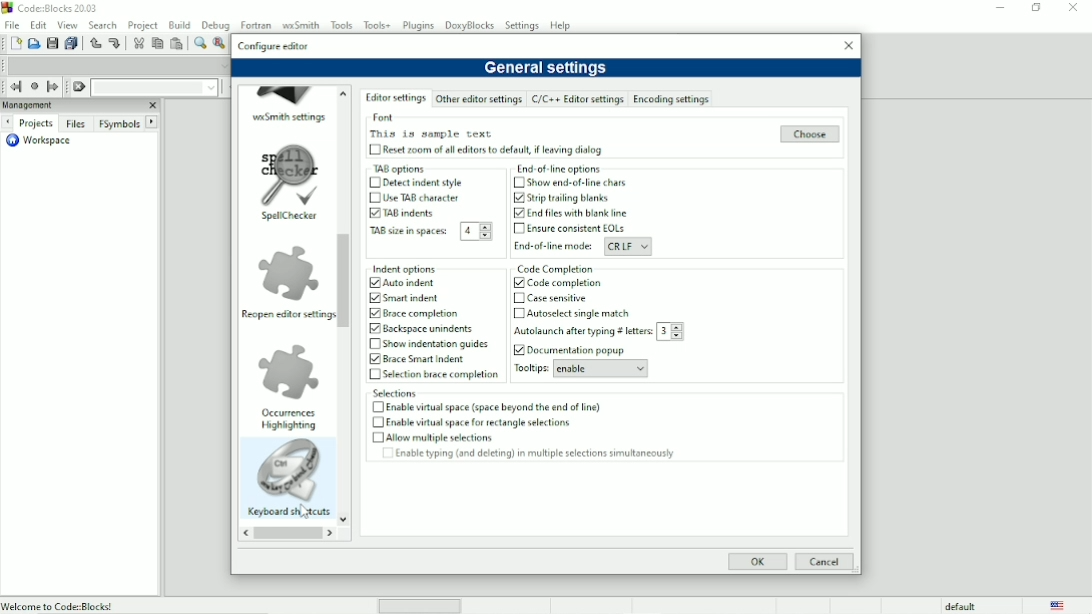  I want to click on Image, so click(287, 272).